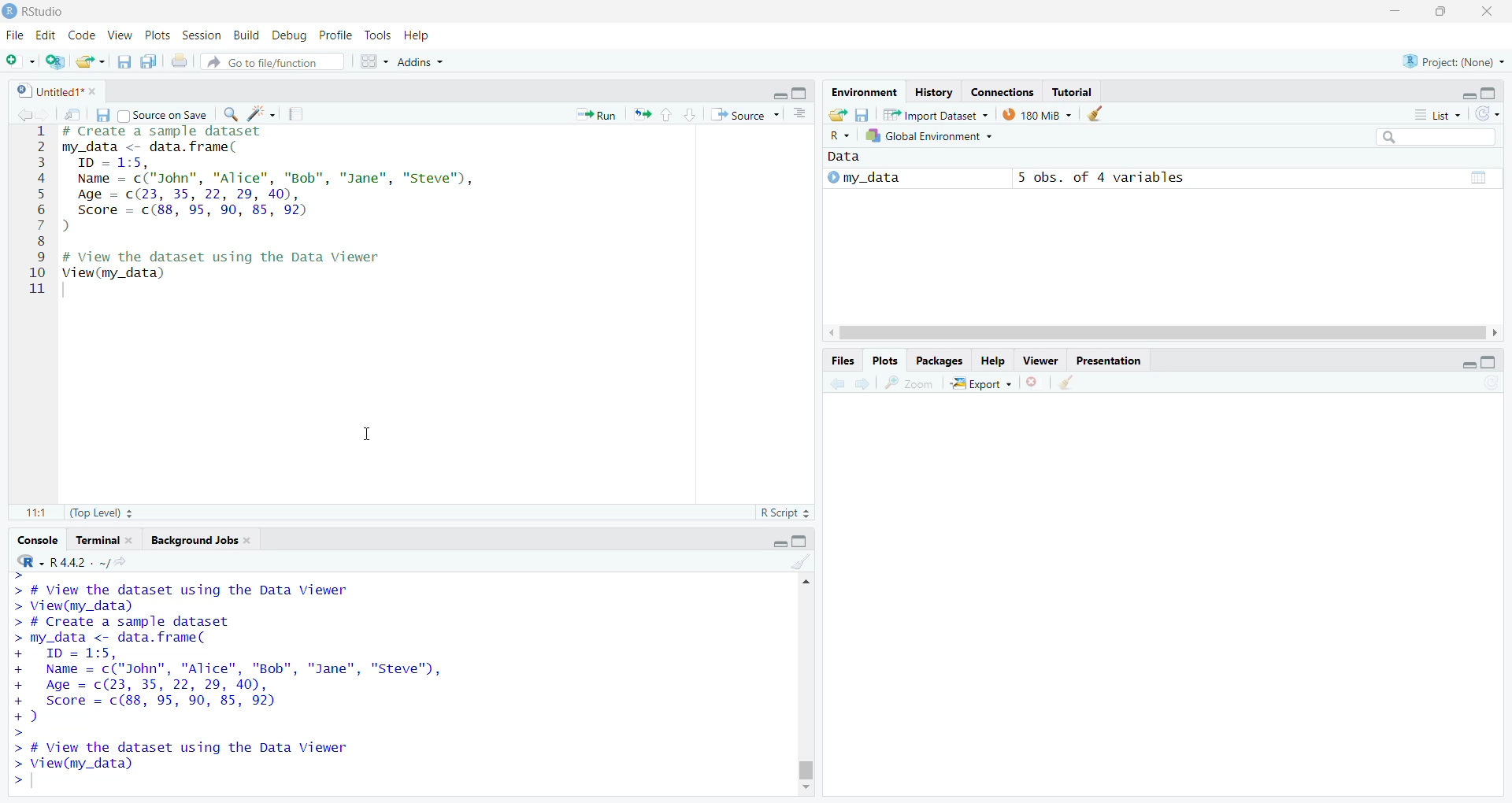 Image resolution: width=1512 pixels, height=803 pixels. What do you see at coordinates (940, 361) in the screenshot?
I see `Packages` at bounding box center [940, 361].